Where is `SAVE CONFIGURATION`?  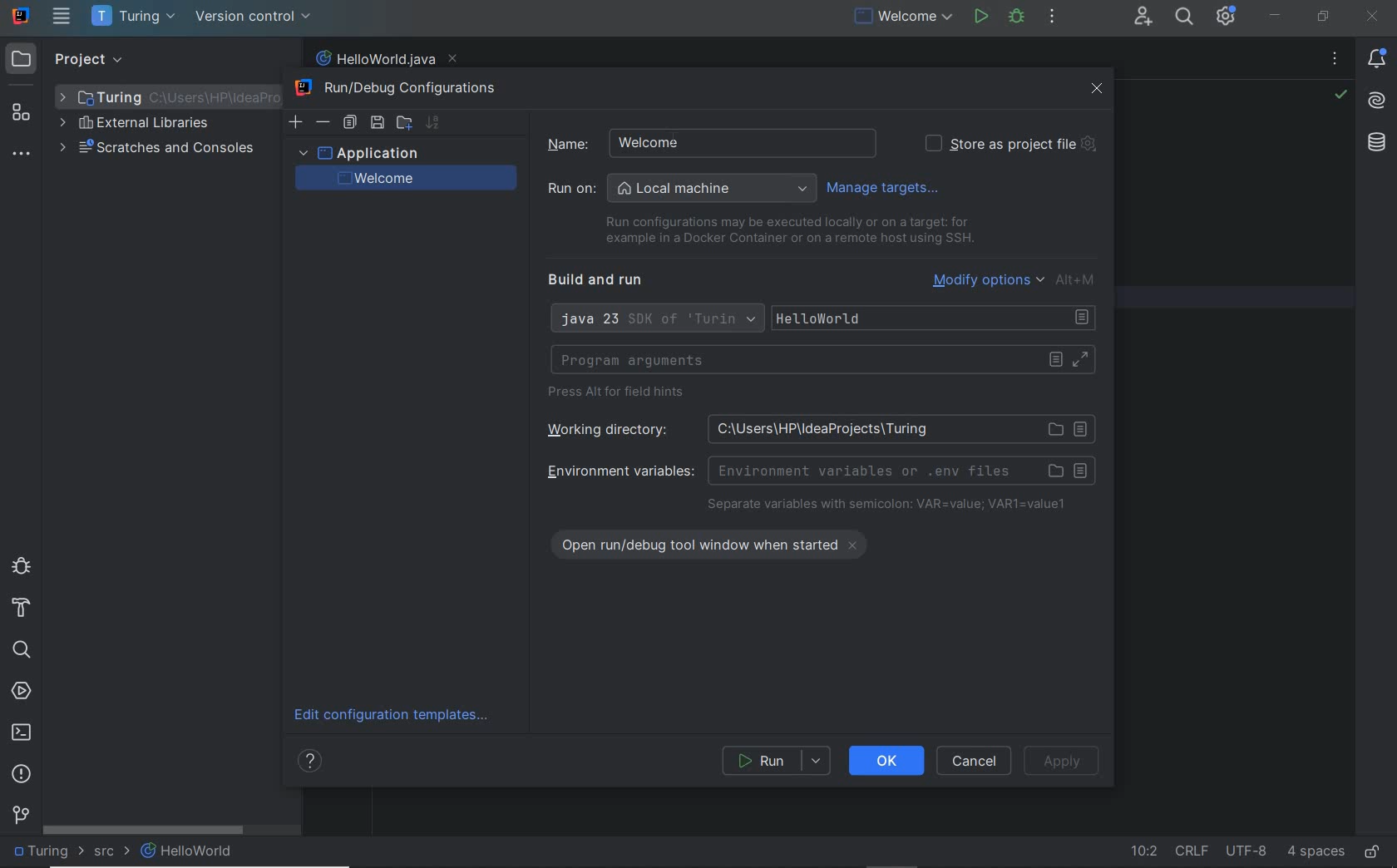 SAVE CONFIGURATION is located at coordinates (377, 123).